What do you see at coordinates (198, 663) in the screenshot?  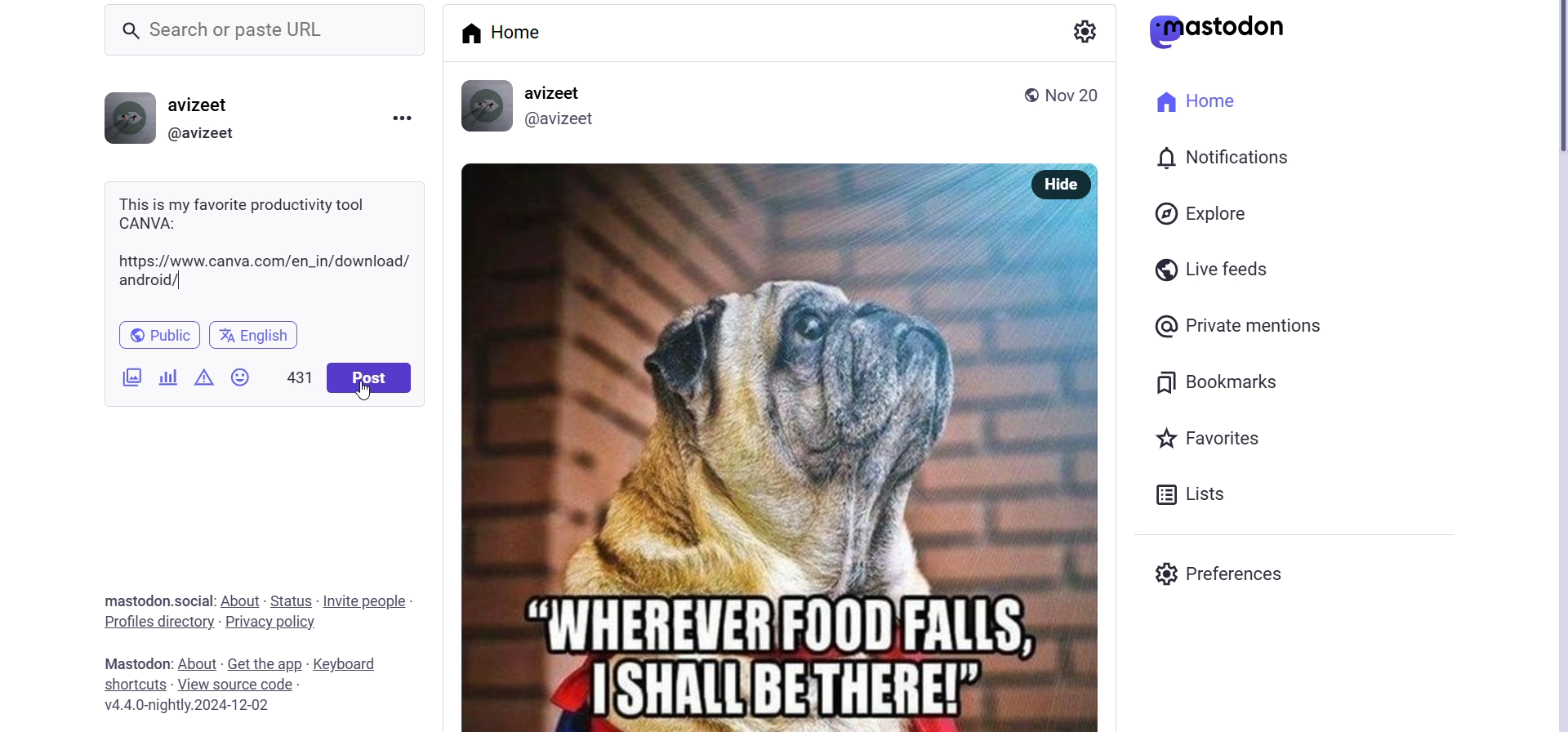 I see `about` at bounding box center [198, 663].